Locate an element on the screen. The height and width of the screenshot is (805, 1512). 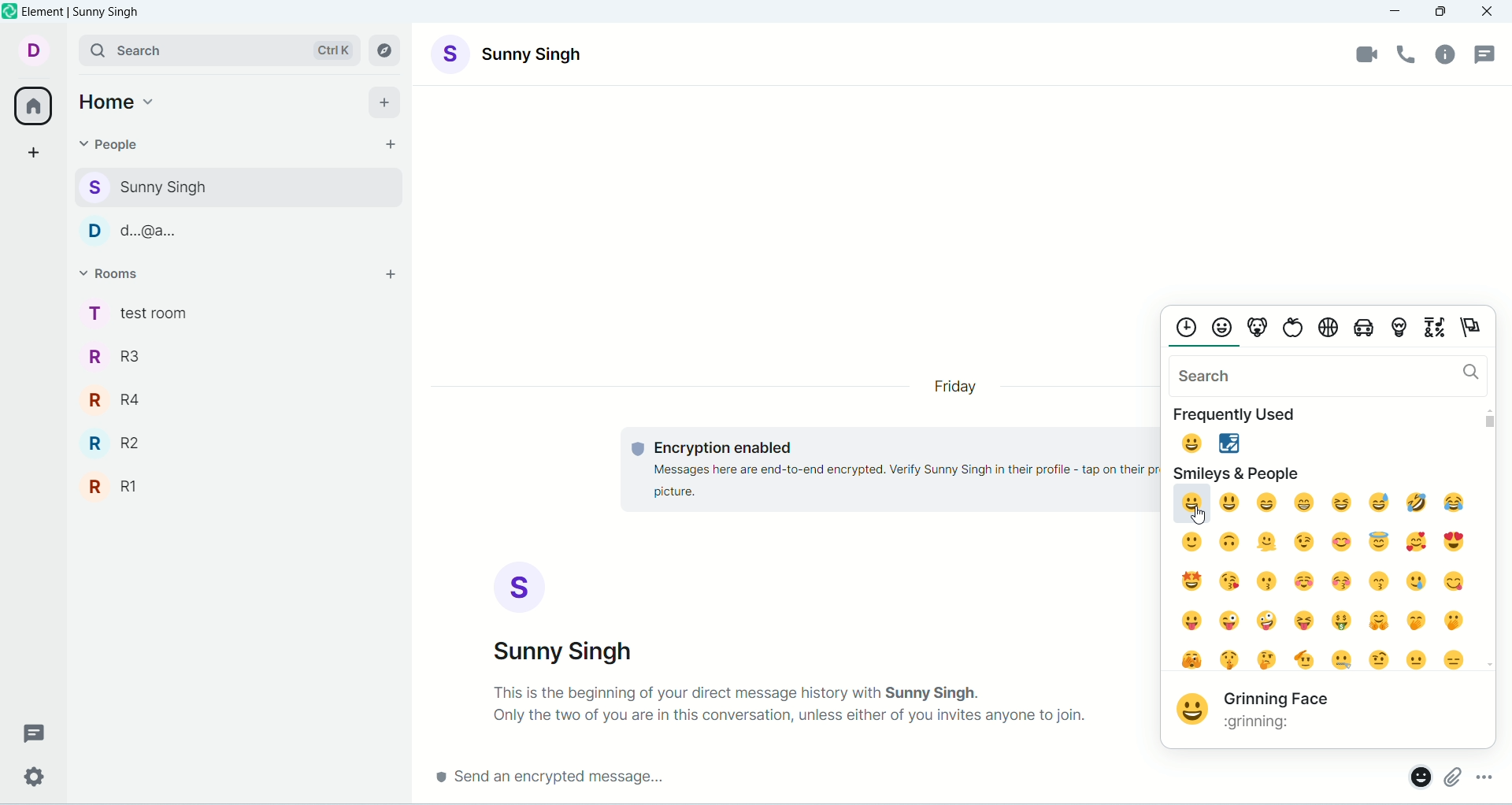
add is located at coordinates (393, 276).